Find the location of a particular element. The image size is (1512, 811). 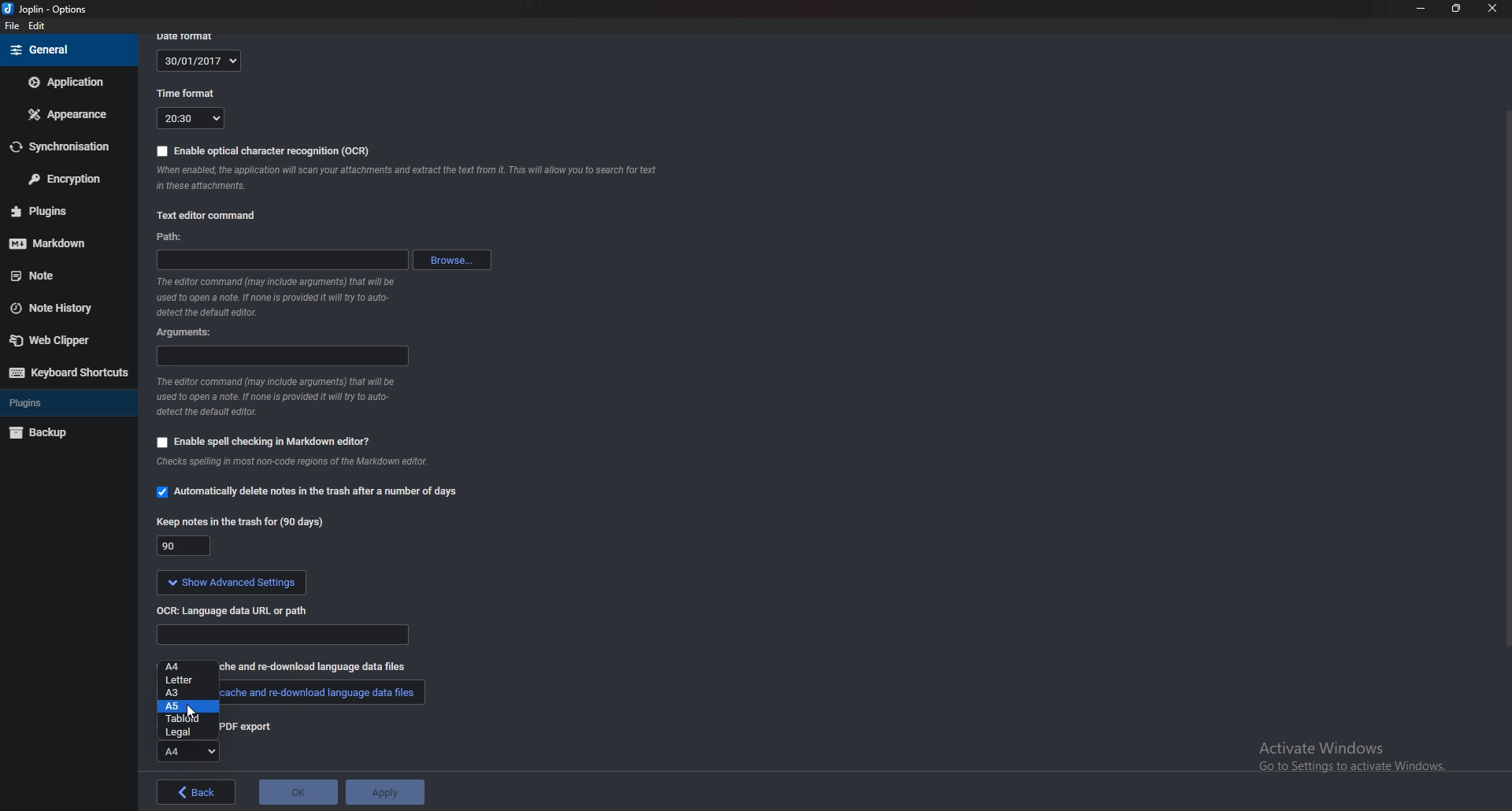

ocr info is located at coordinates (404, 176).